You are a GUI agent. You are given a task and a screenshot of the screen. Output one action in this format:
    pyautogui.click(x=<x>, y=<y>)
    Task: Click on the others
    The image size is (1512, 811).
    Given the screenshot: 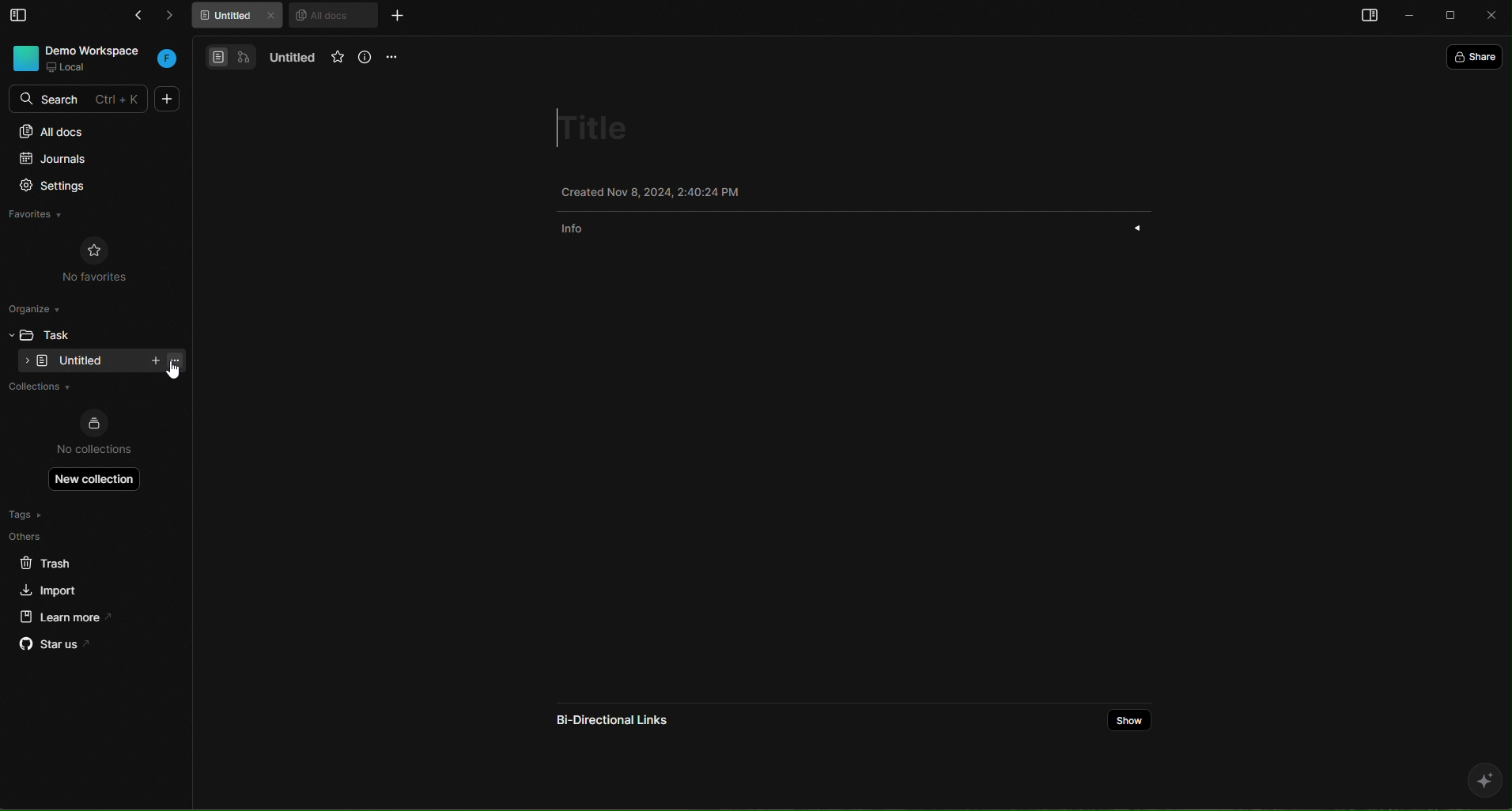 What is the action you would take?
    pyautogui.click(x=59, y=536)
    